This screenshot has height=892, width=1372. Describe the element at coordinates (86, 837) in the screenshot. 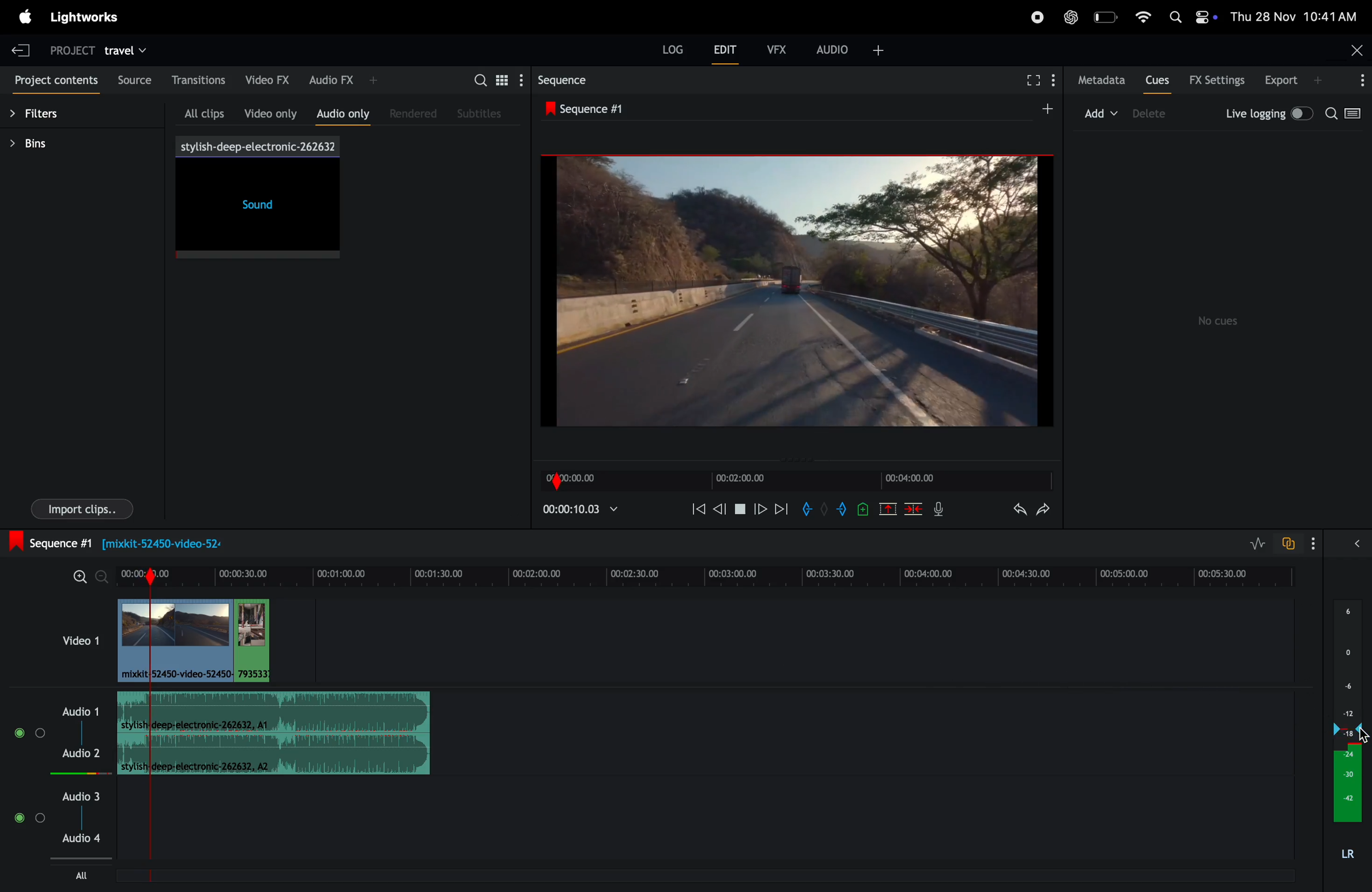

I see `Audio 4` at that location.